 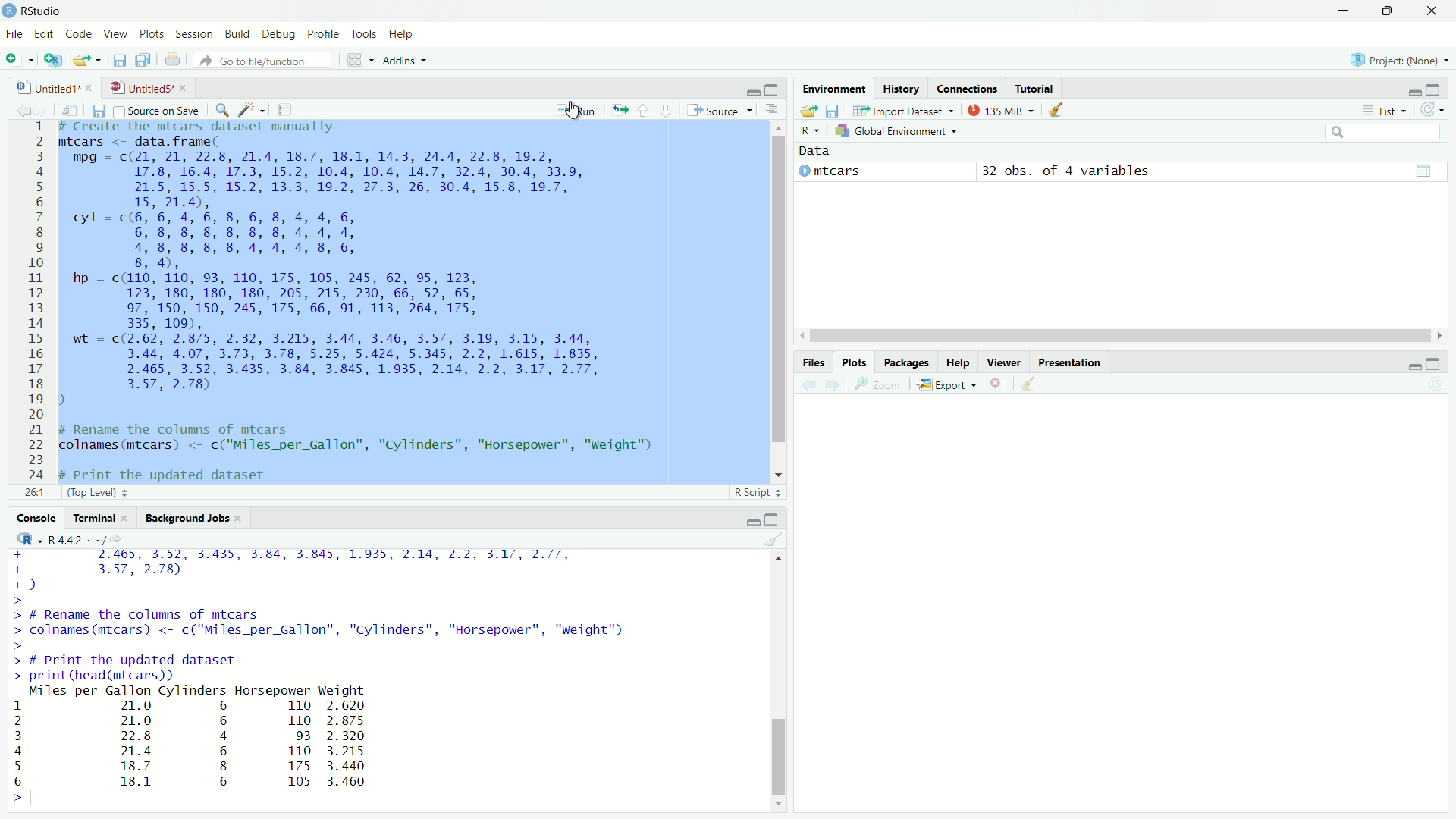 What do you see at coordinates (219, 108) in the screenshot?
I see `search` at bounding box center [219, 108].